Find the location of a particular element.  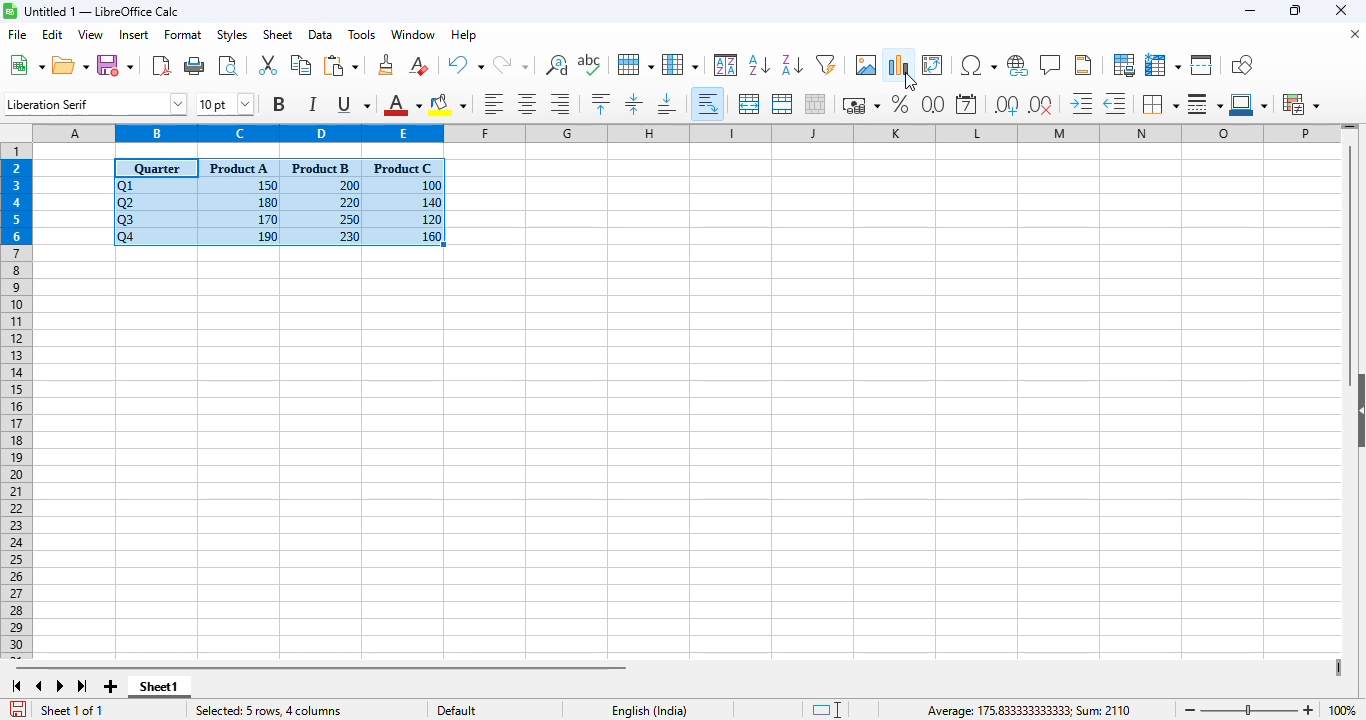

insert special characters is located at coordinates (978, 65).